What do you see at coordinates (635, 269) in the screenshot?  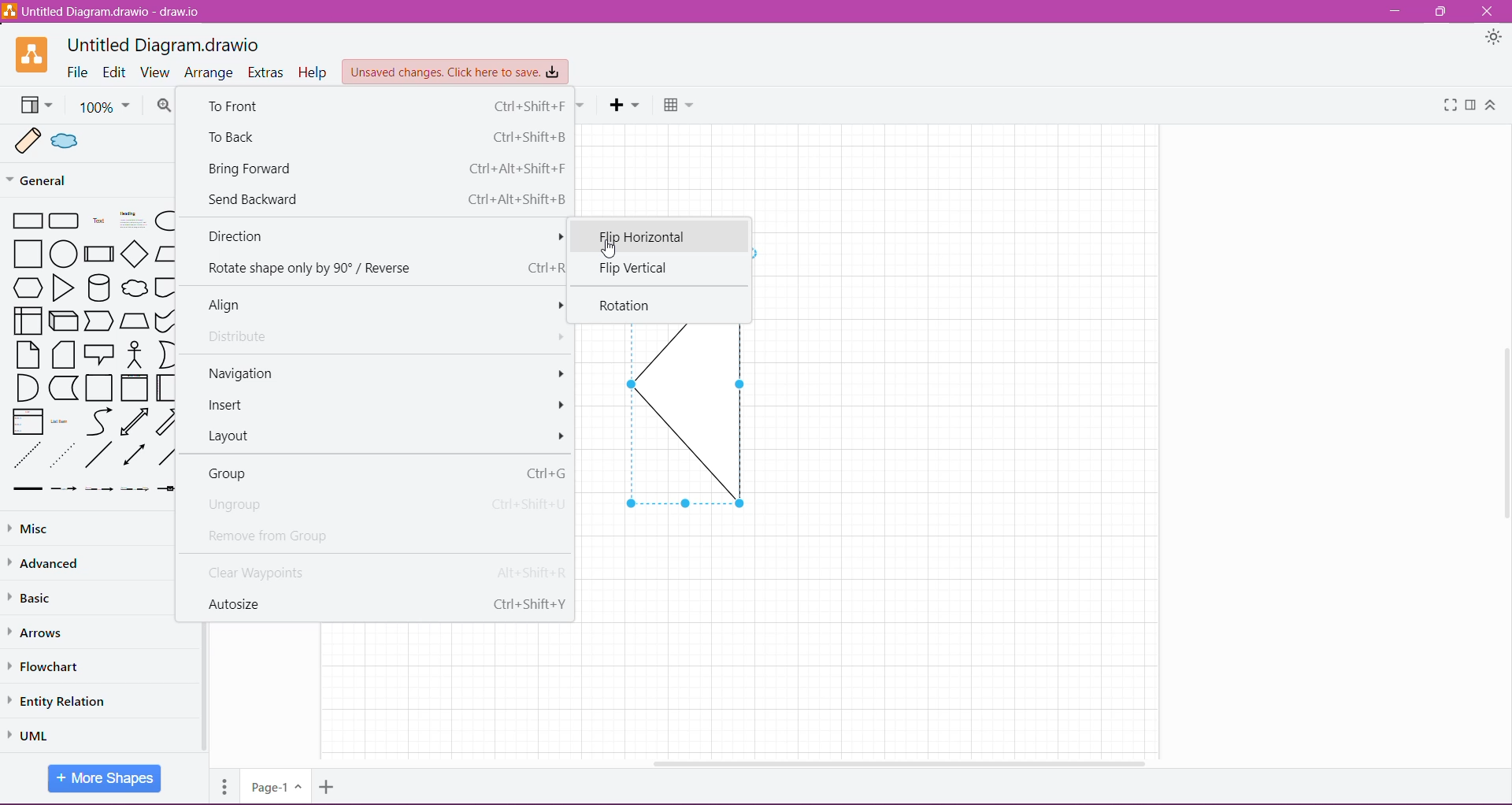 I see `Flip Vertical` at bounding box center [635, 269].